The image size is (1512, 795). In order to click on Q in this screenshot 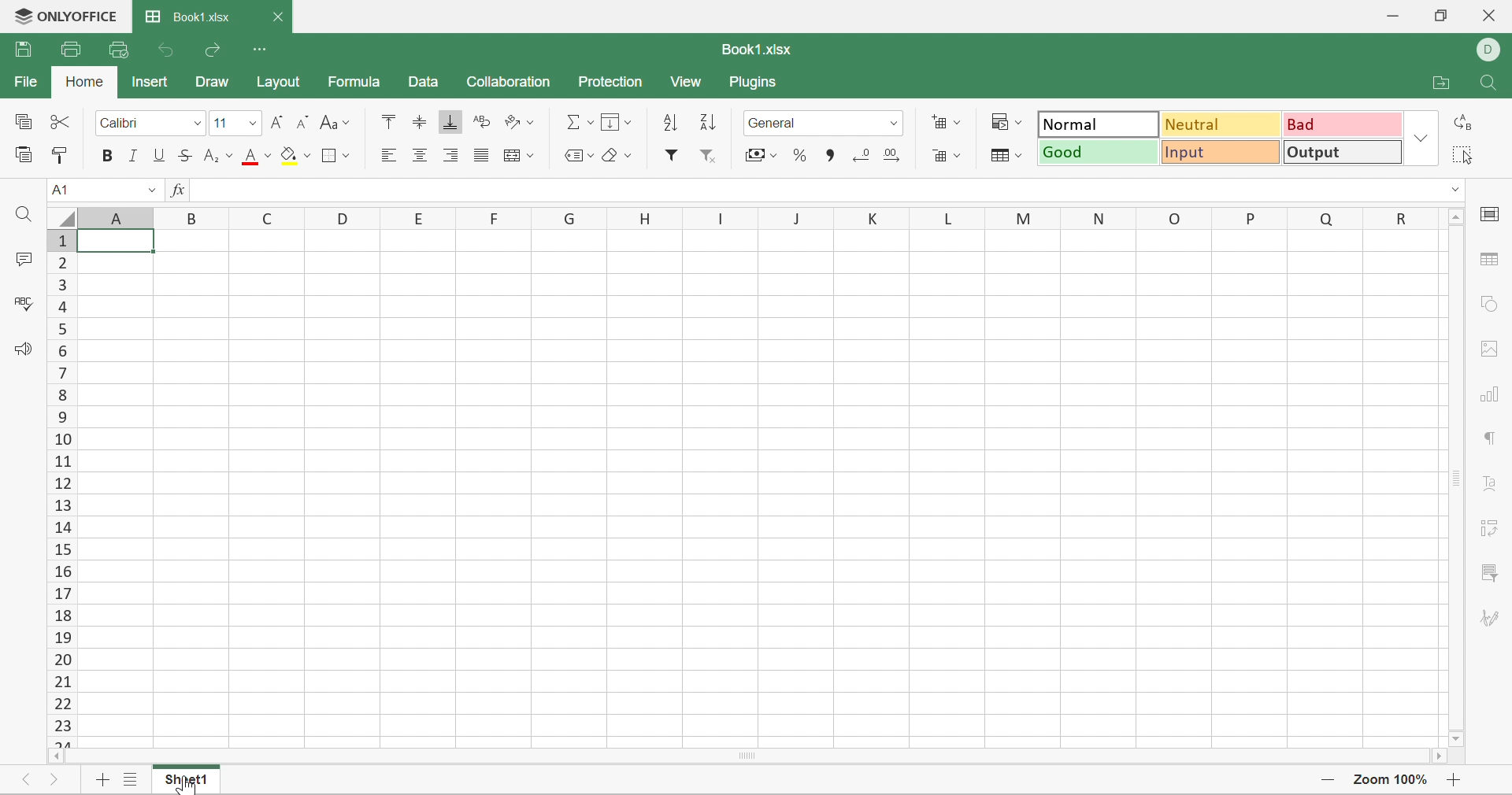, I will do `click(1327, 216)`.